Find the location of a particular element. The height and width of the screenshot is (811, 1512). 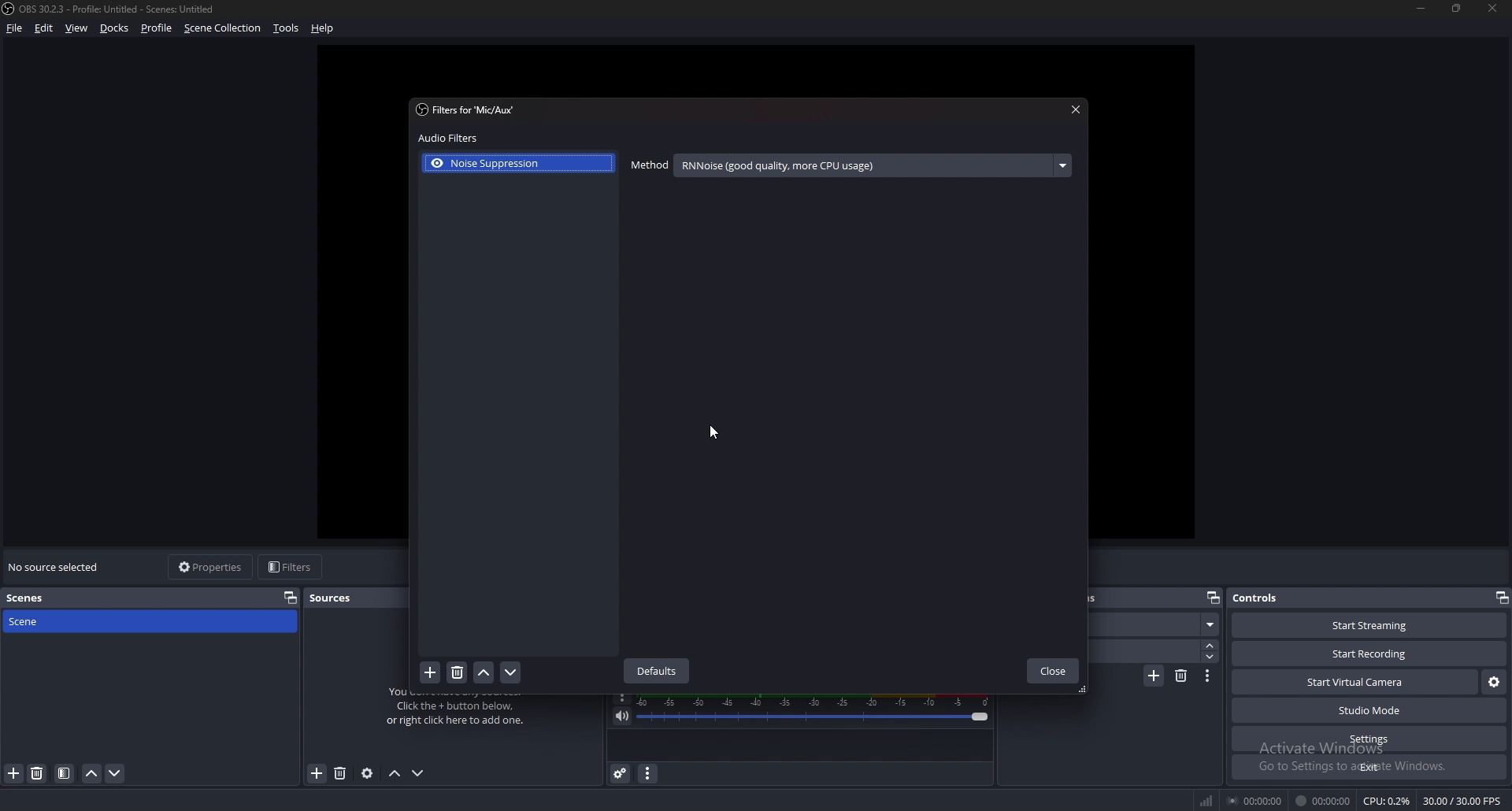

scene is located at coordinates (46, 621).